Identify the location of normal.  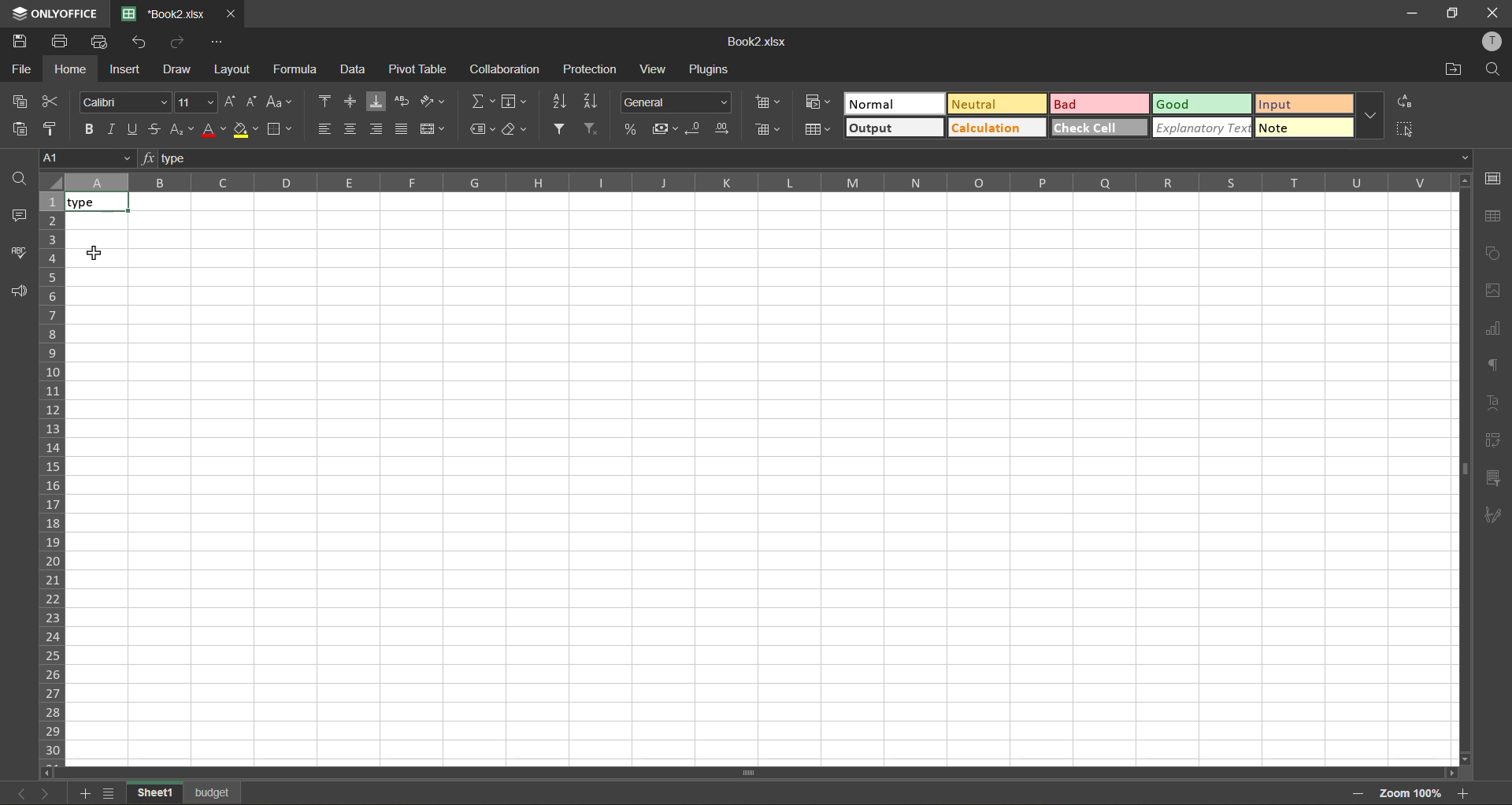
(895, 102).